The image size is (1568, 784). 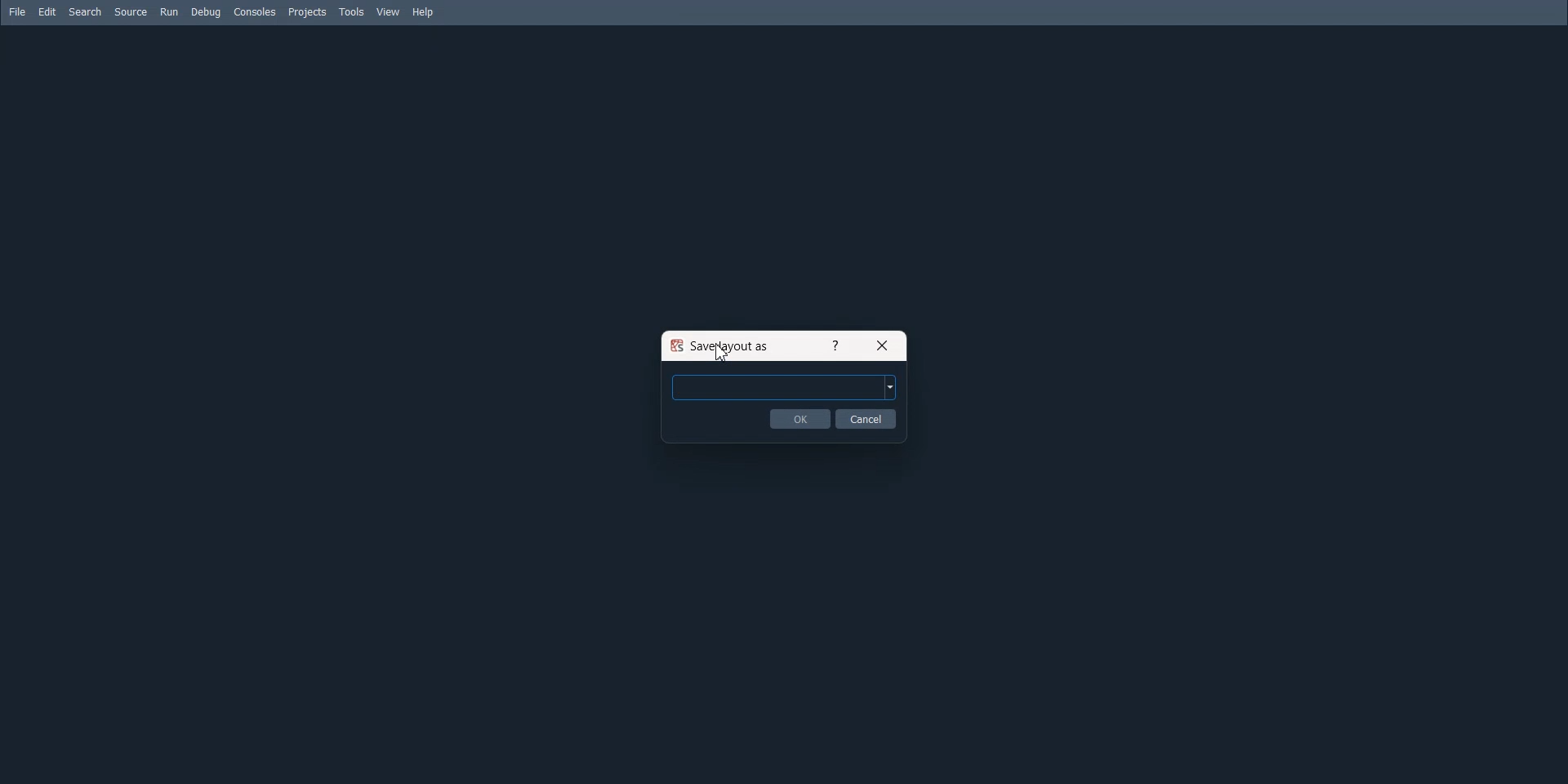 I want to click on Projects, so click(x=307, y=12).